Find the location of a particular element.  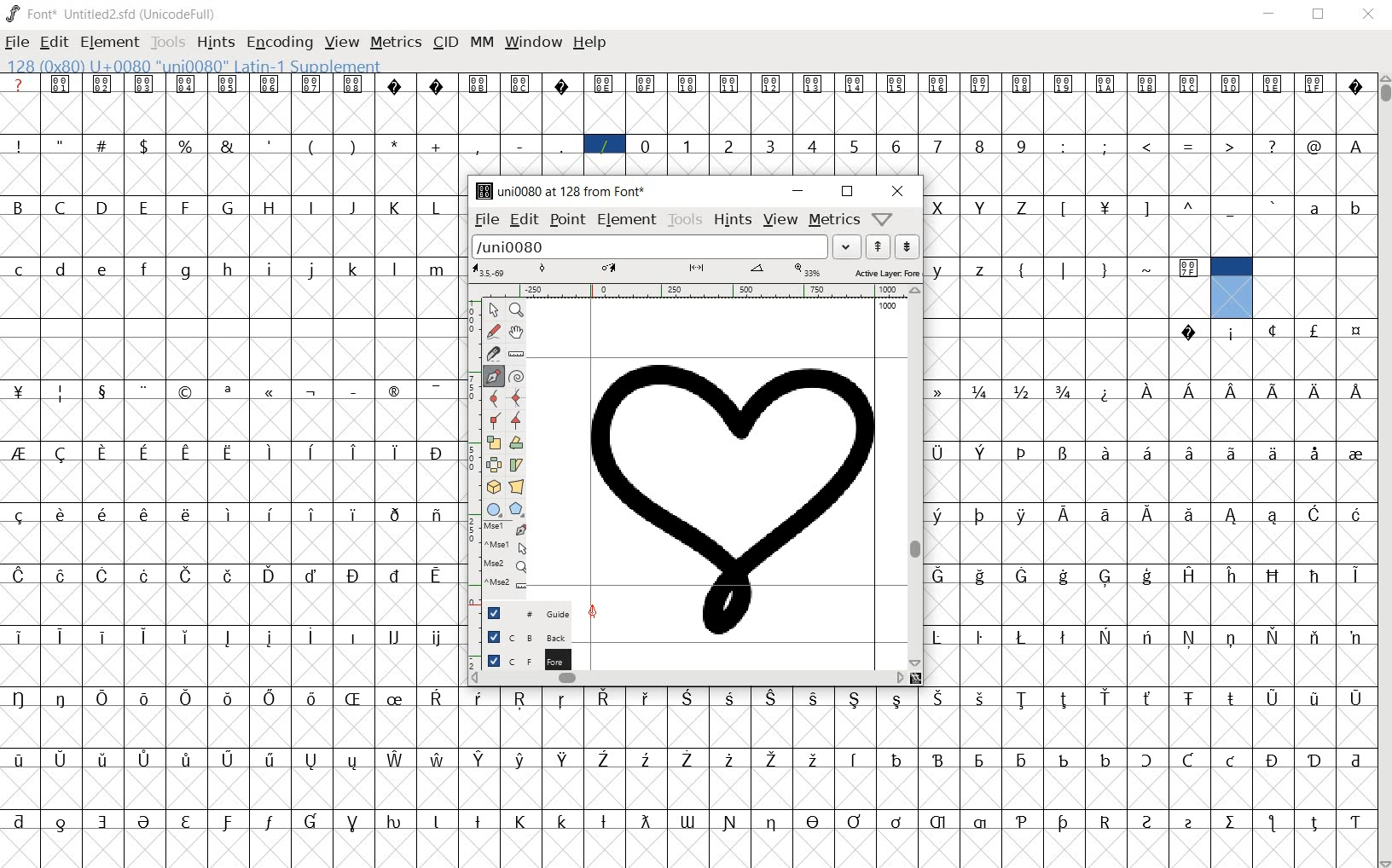

glyph is located at coordinates (1231, 761).